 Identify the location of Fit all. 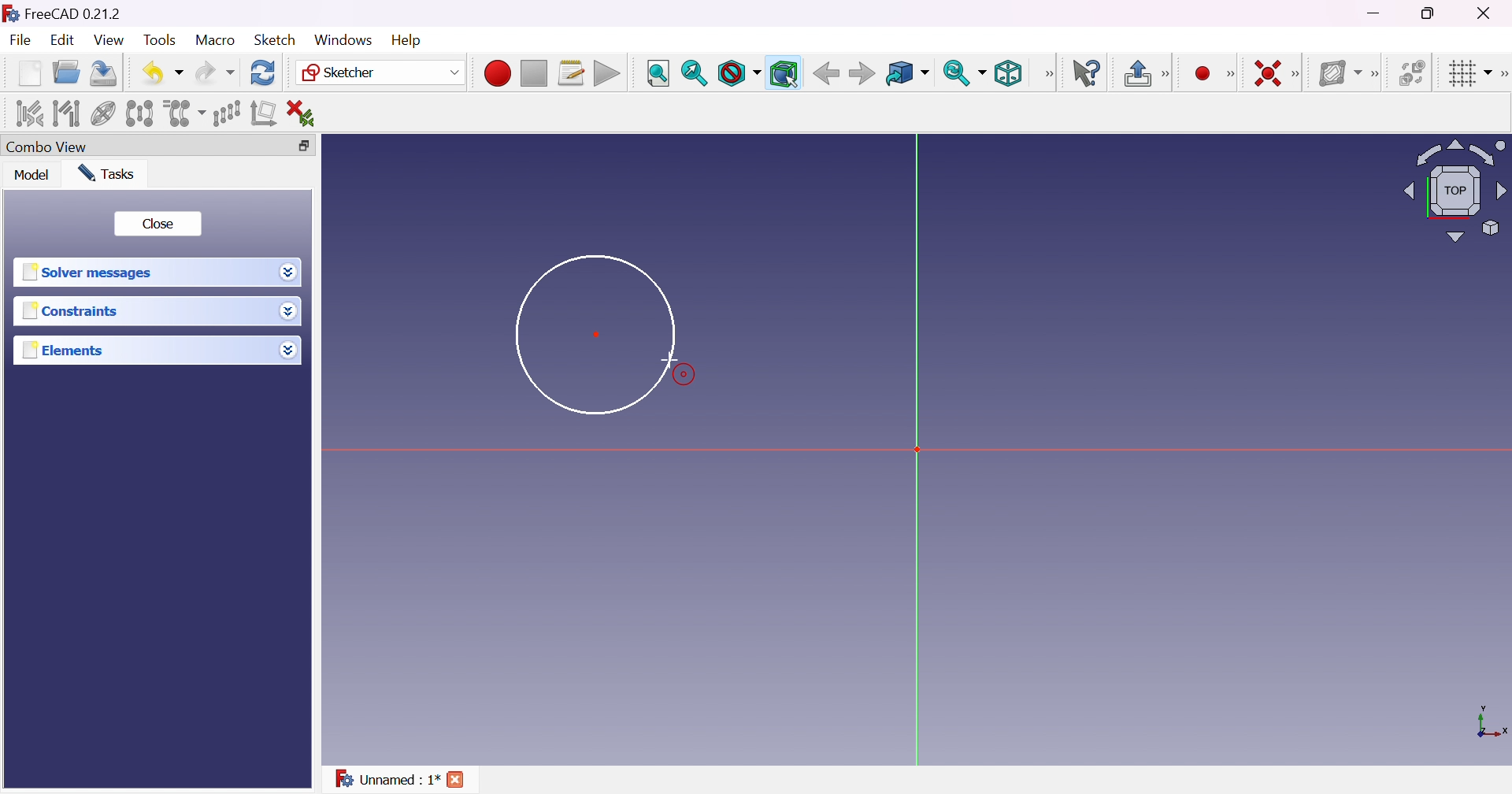
(657, 72).